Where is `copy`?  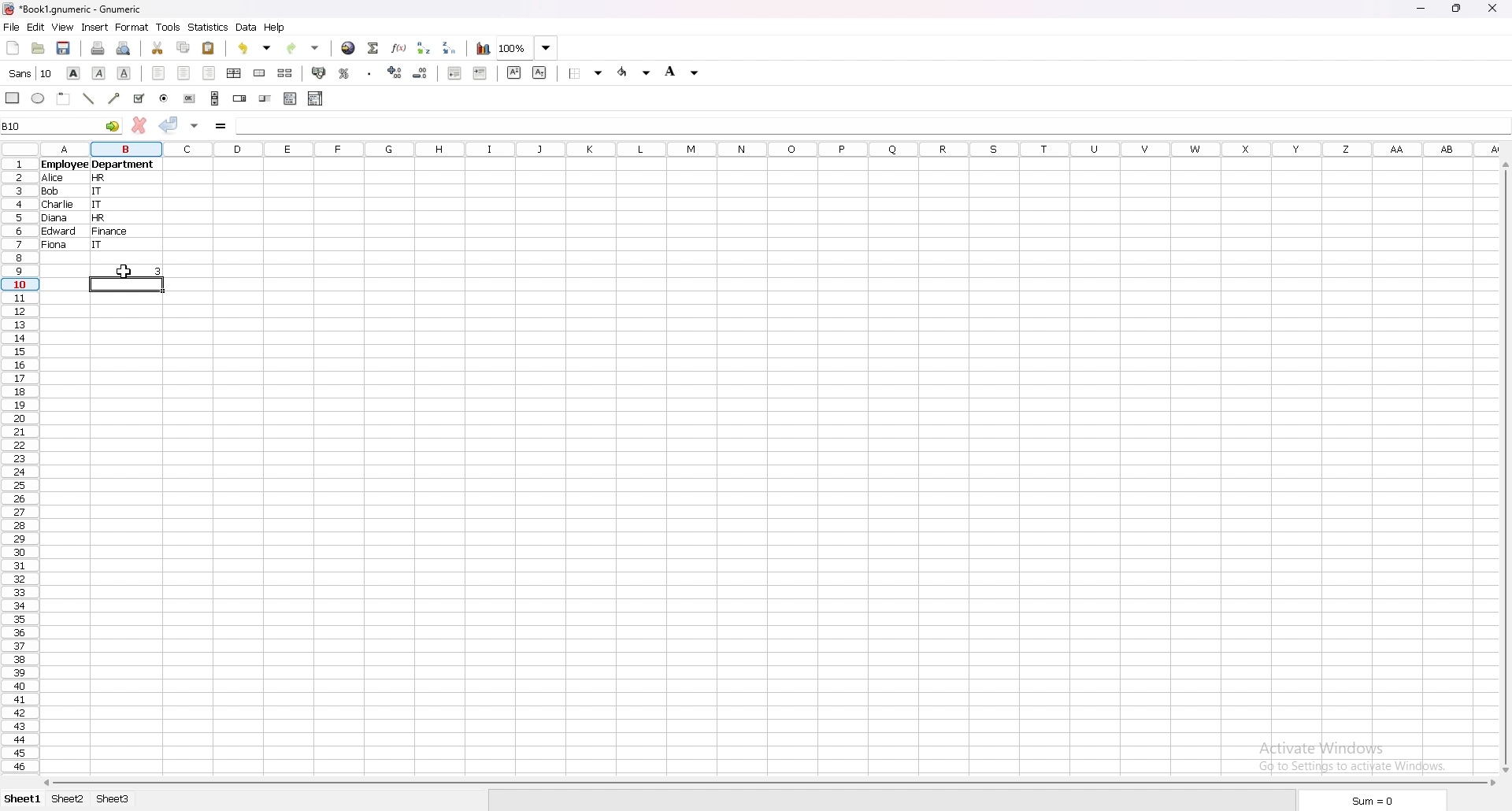
copy is located at coordinates (183, 47).